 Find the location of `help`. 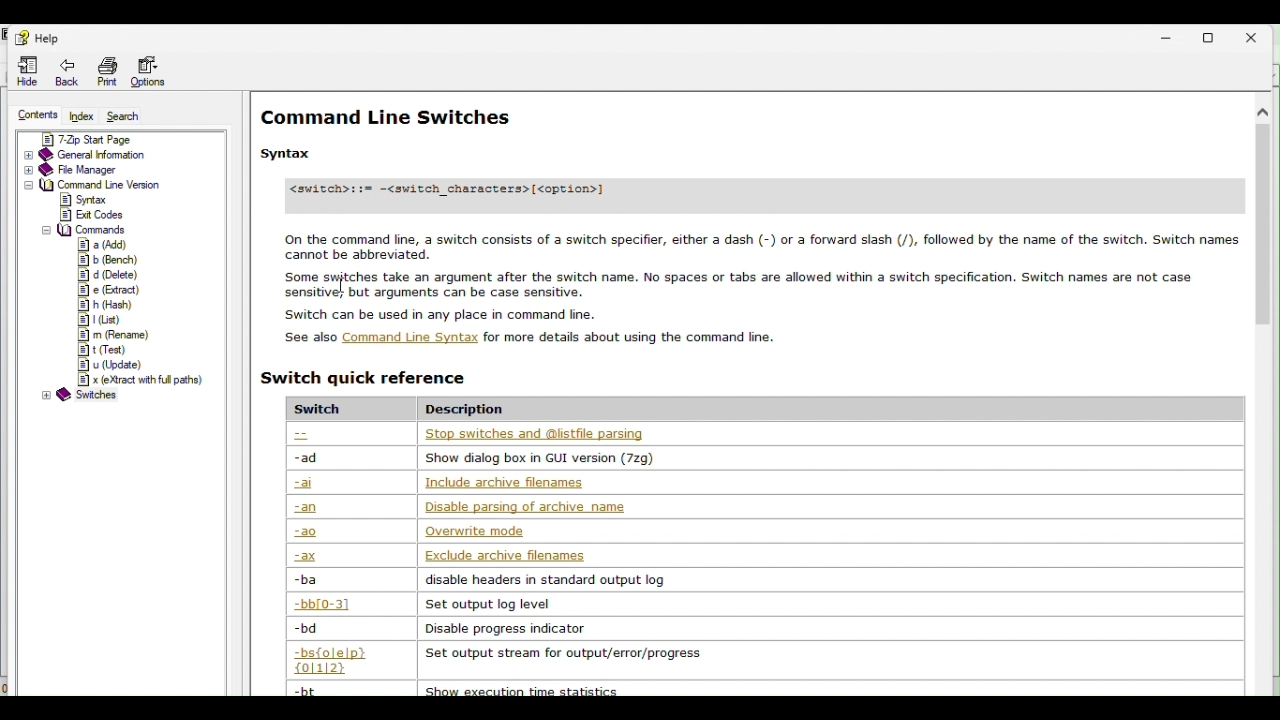

help is located at coordinates (37, 36).